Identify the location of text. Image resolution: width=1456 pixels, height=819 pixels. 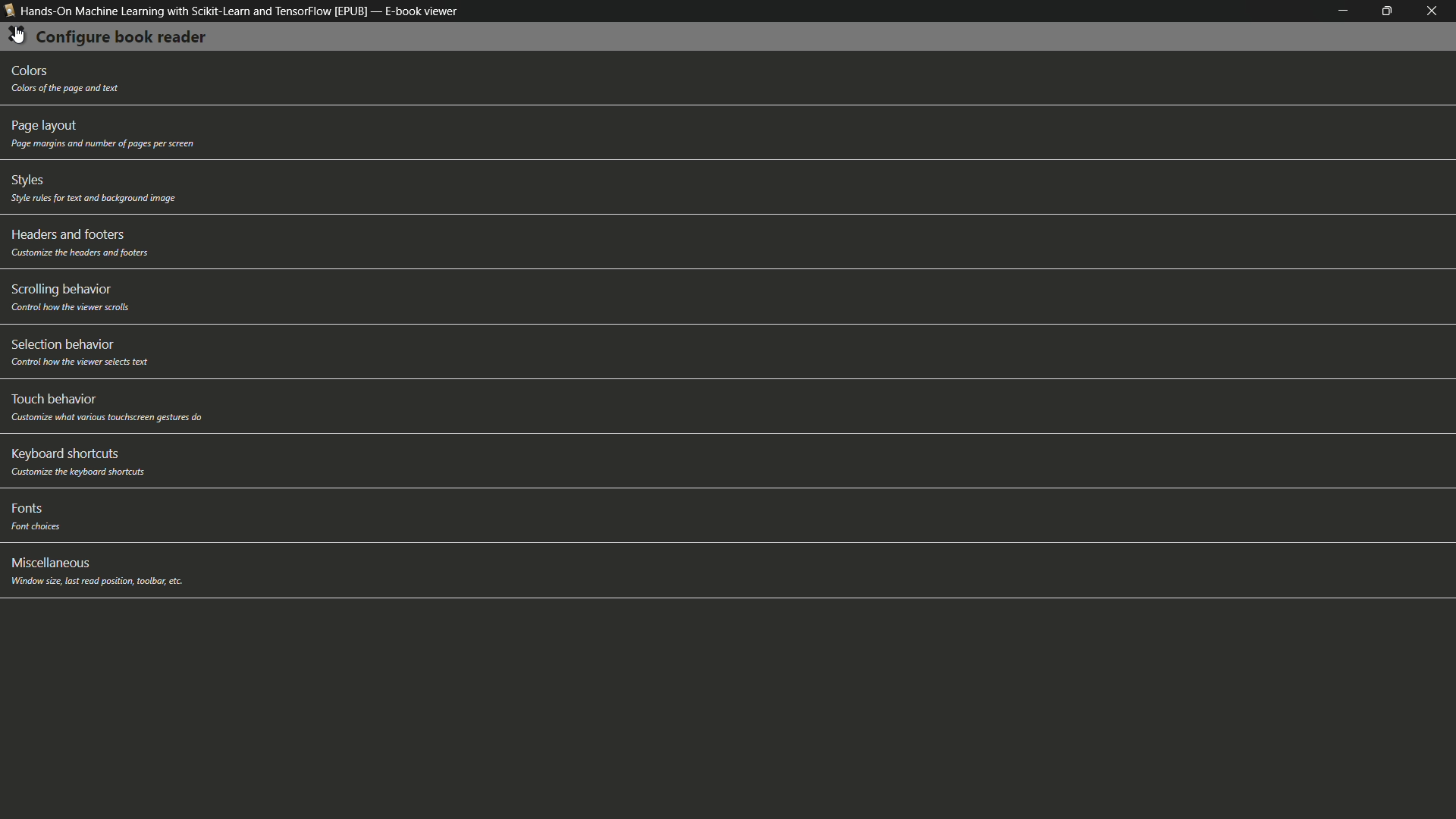
(63, 88).